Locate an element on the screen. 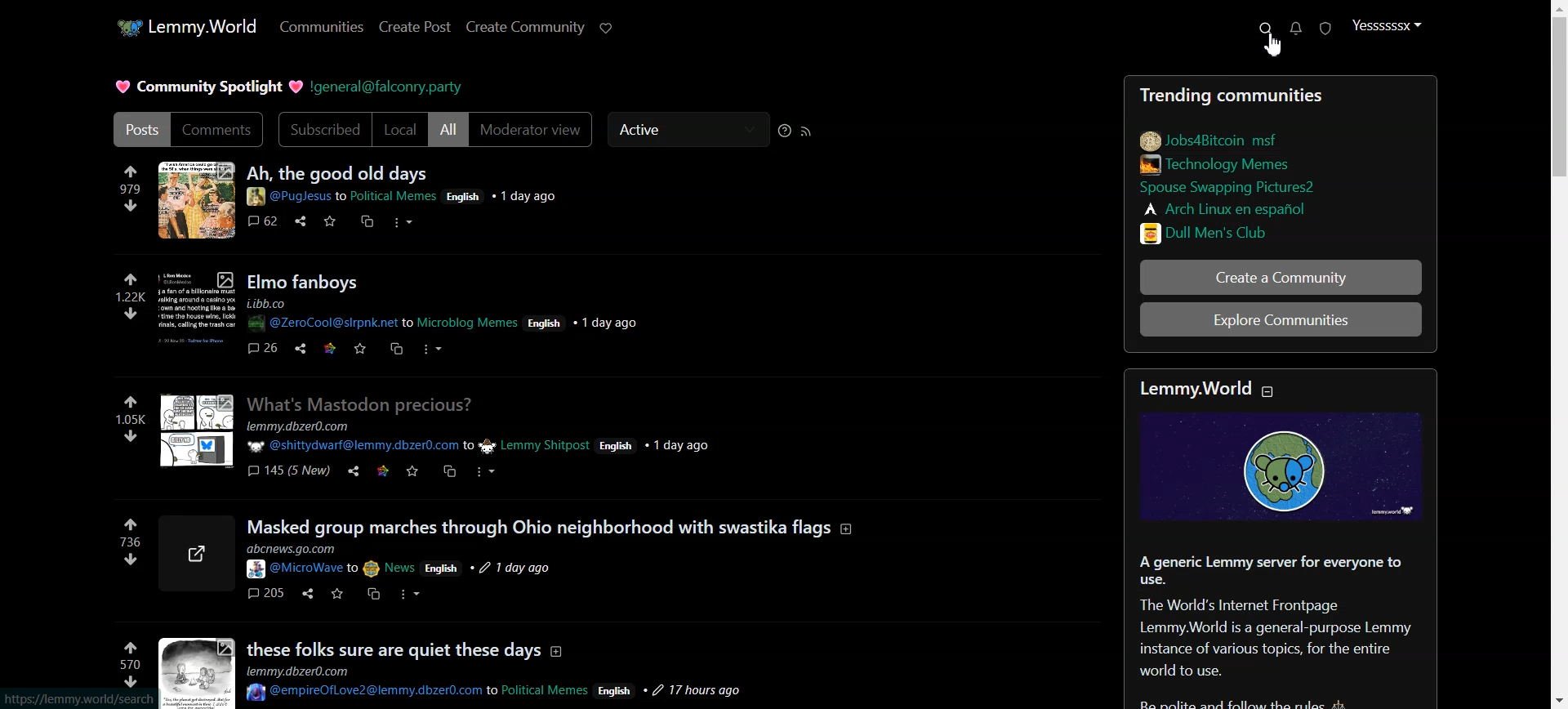 This screenshot has width=1568, height=709. post is located at coordinates (407, 646).